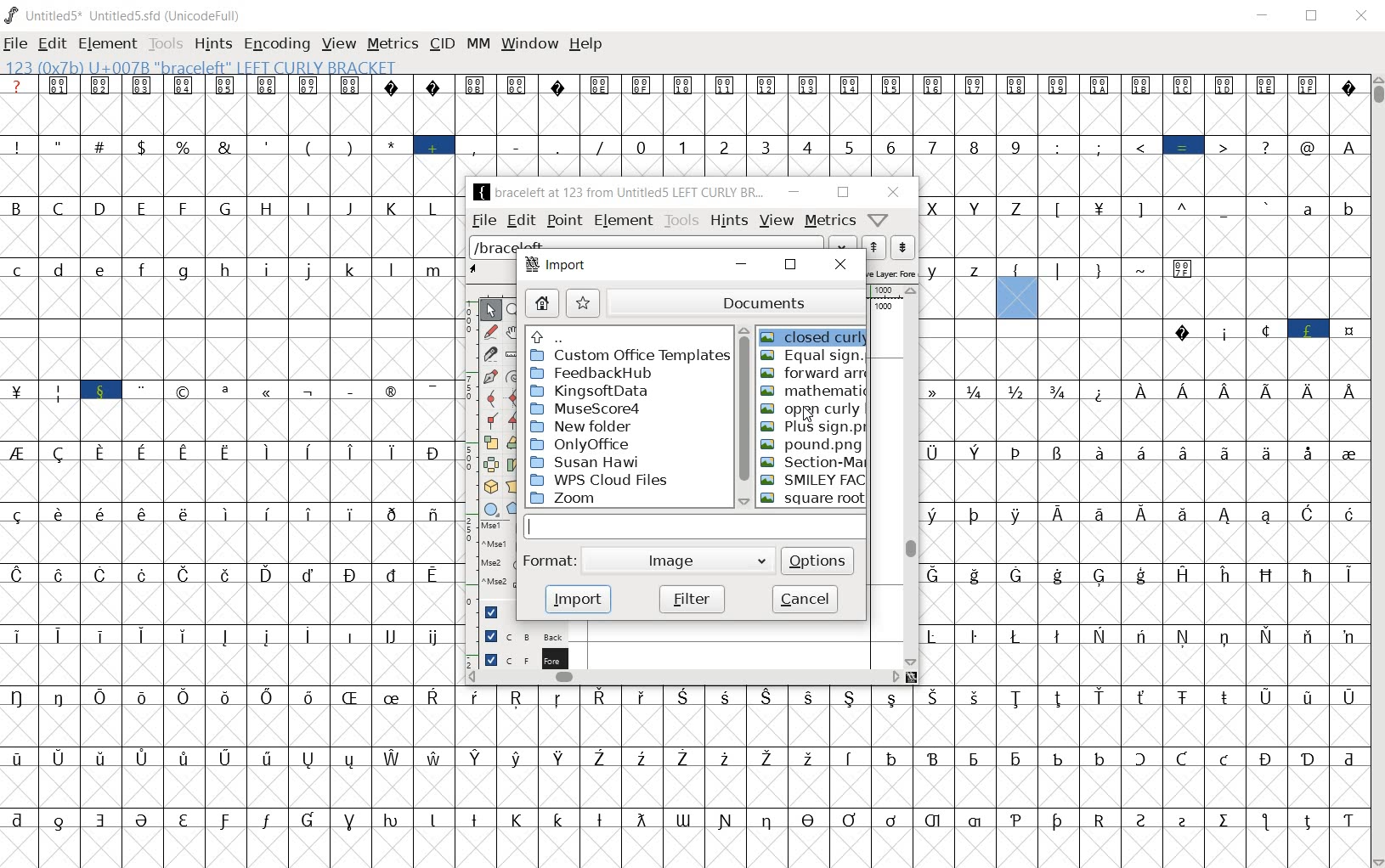  I want to click on background, so click(516, 635).